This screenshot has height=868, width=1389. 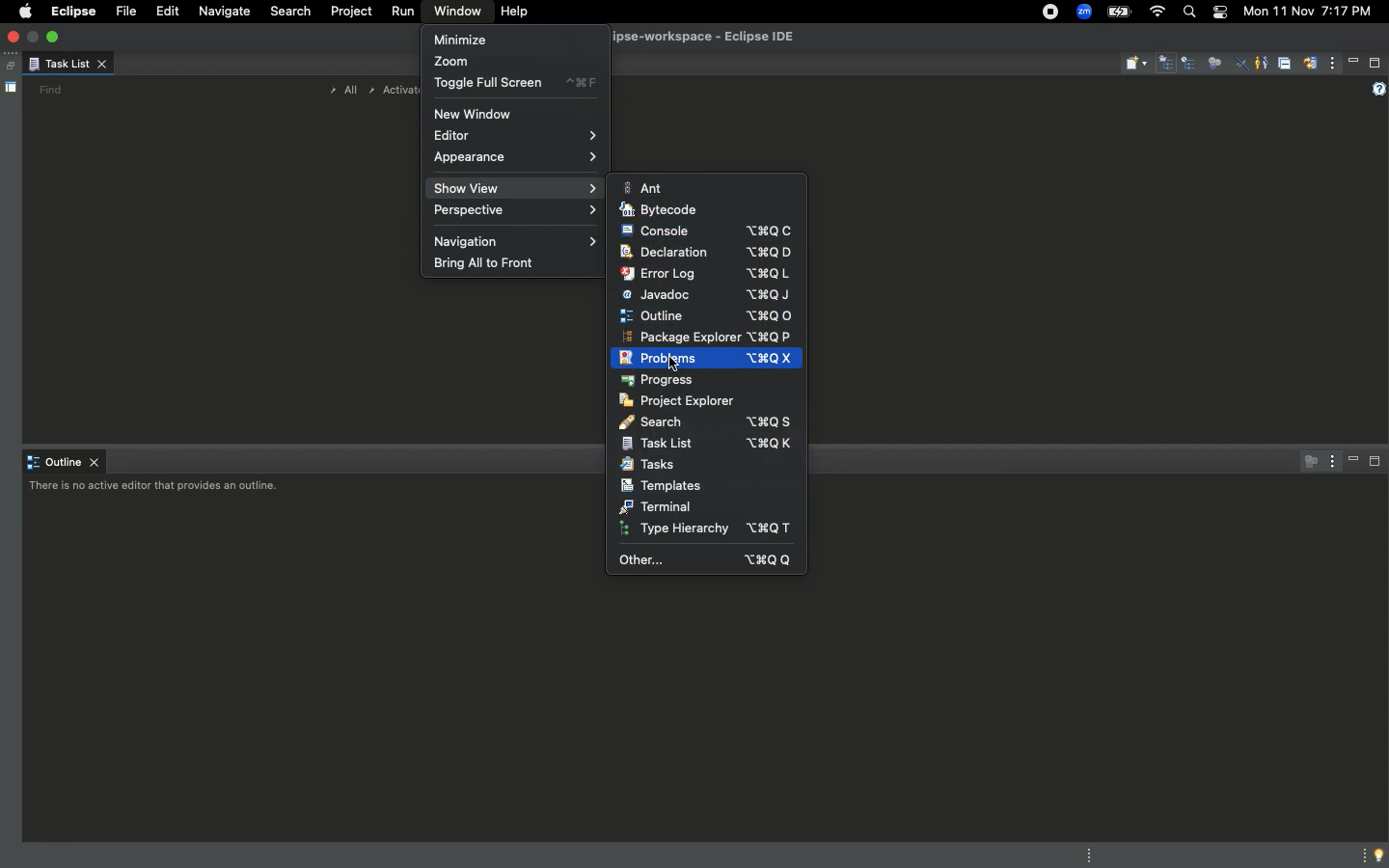 What do you see at coordinates (659, 382) in the screenshot?
I see `Progress` at bounding box center [659, 382].